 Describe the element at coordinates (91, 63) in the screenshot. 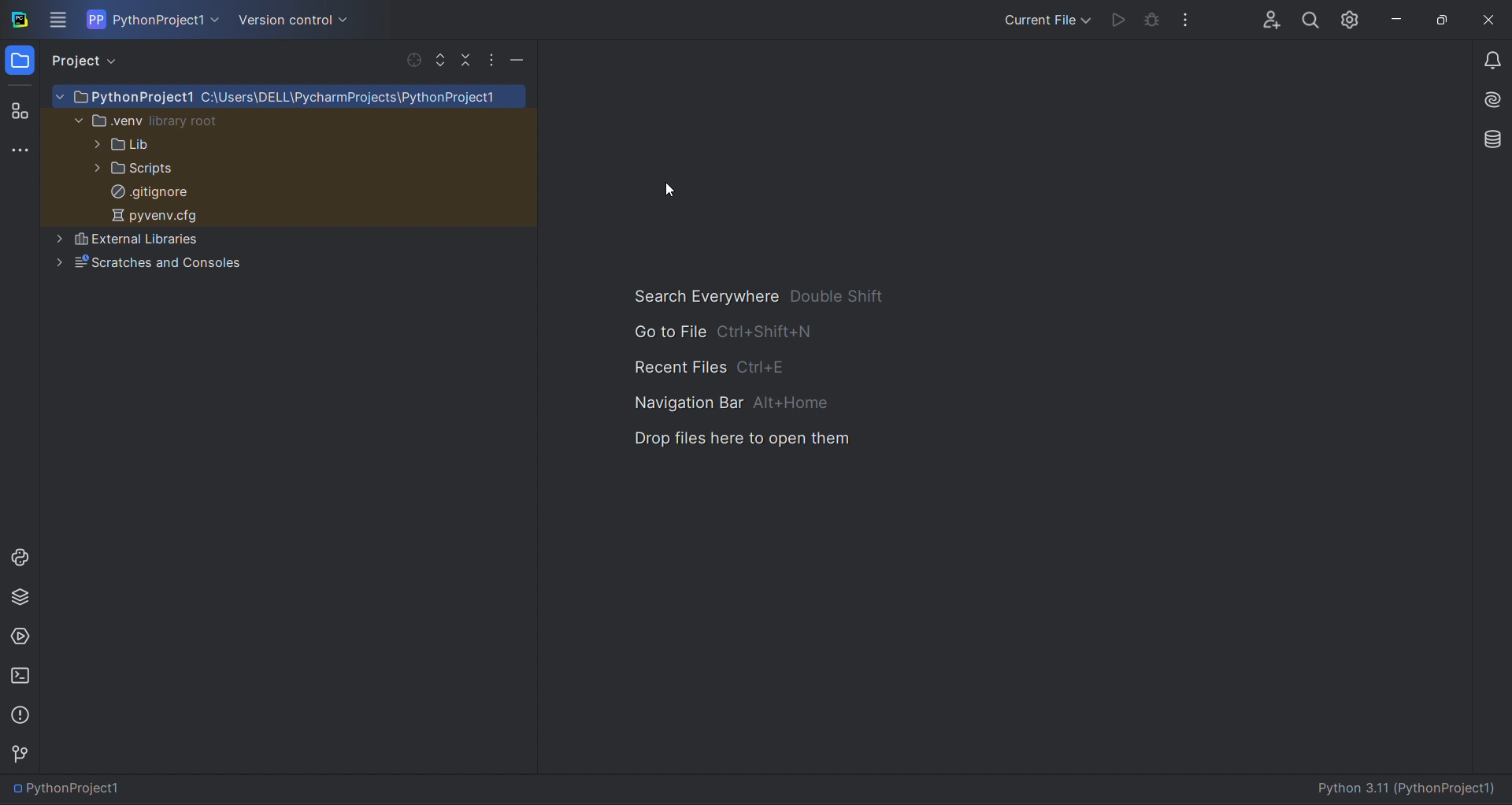

I see `project` at that location.